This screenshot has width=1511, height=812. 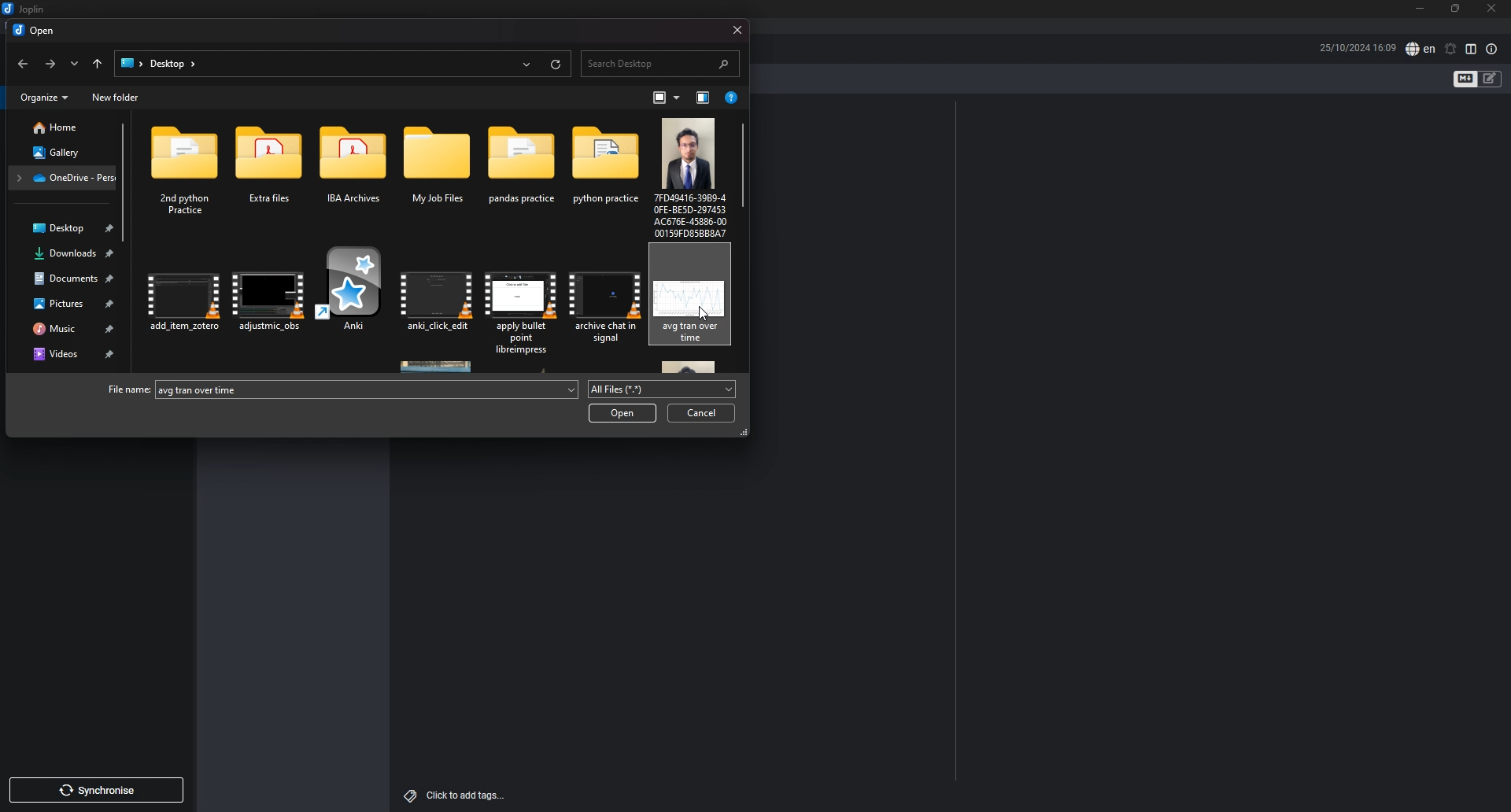 What do you see at coordinates (357, 175) in the screenshot?
I see `IBA archieves` at bounding box center [357, 175].